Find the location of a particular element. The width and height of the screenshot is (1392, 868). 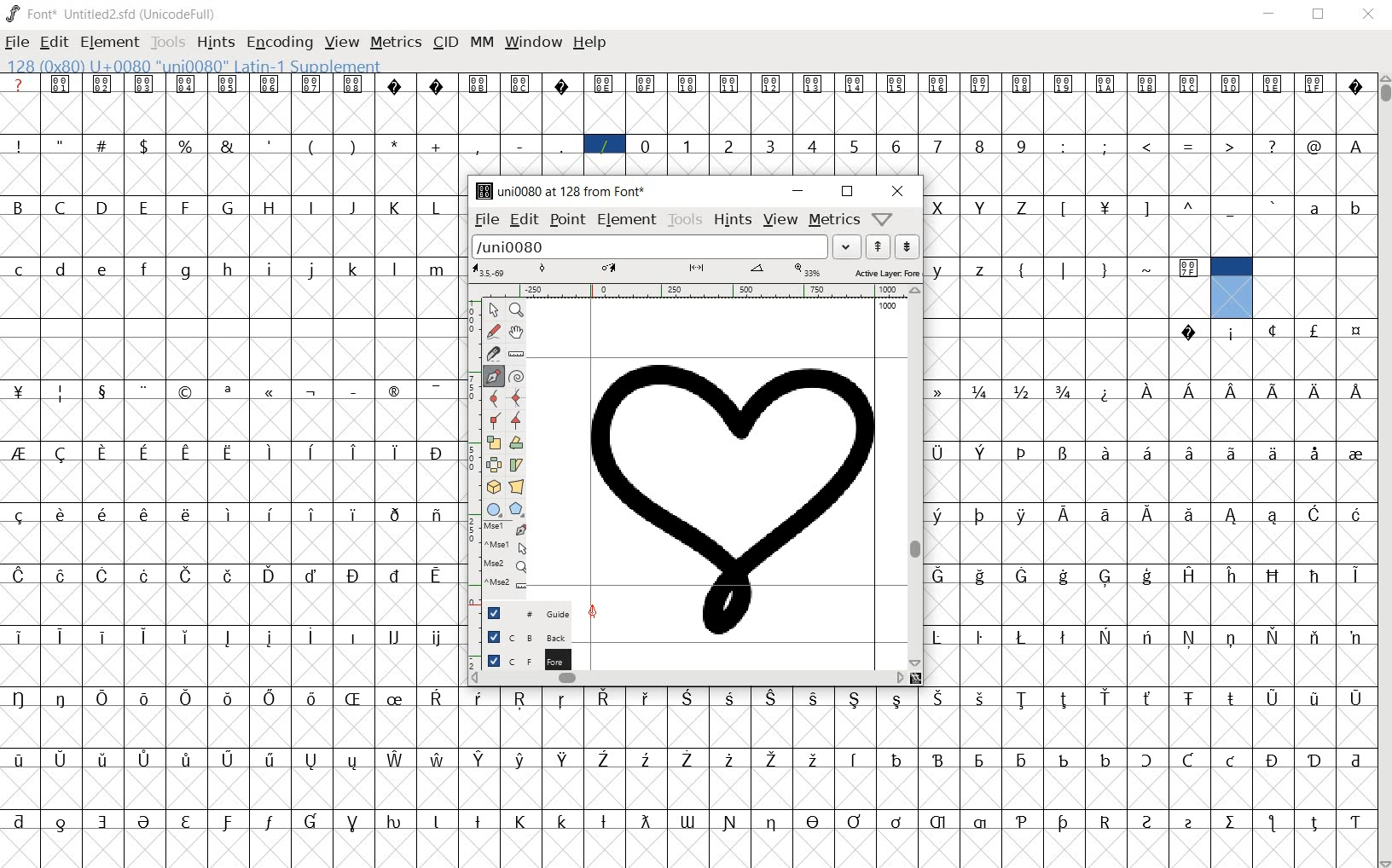

ruler is located at coordinates (687, 292).